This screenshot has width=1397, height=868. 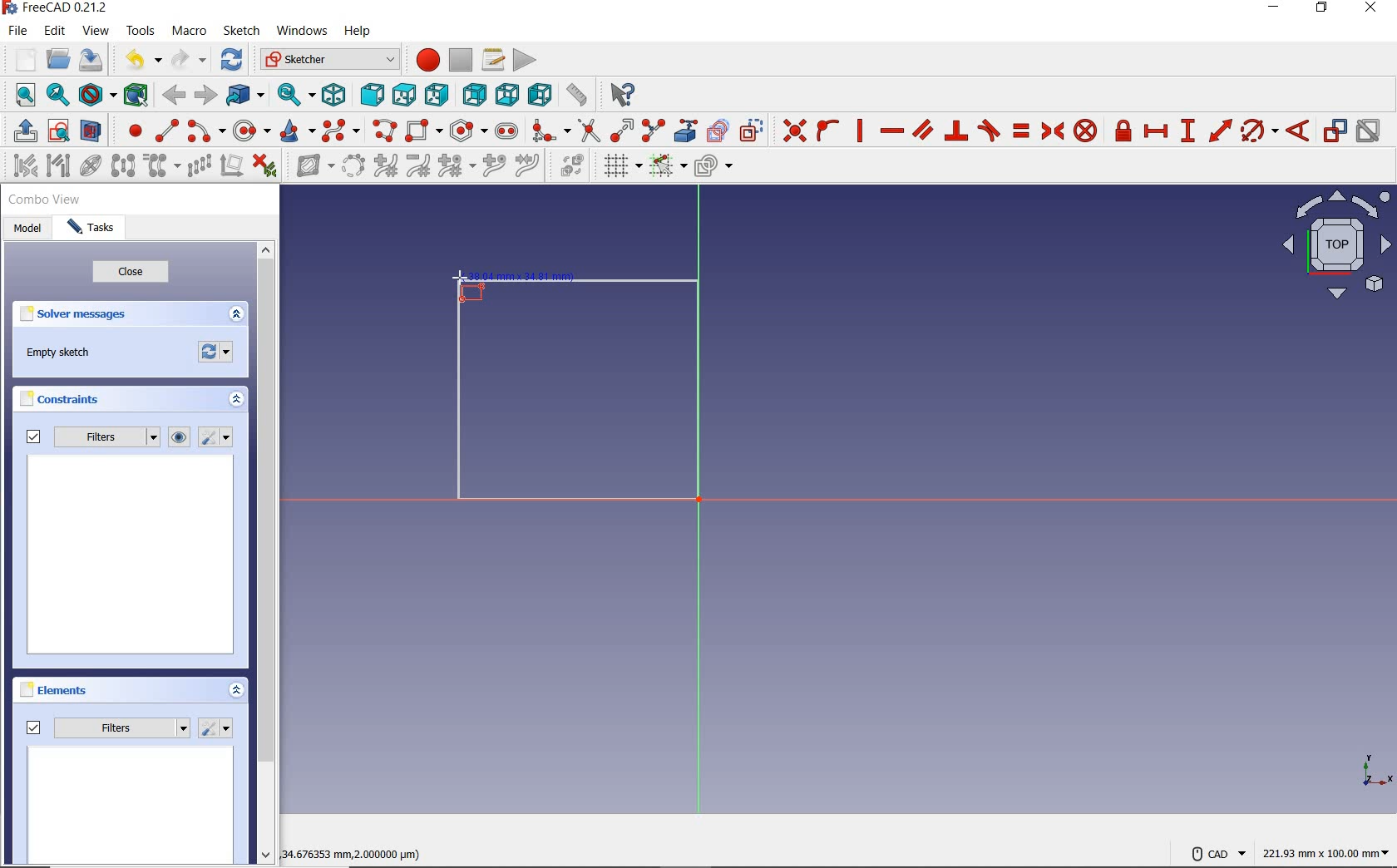 What do you see at coordinates (1328, 852) in the screenshot?
I see `dimension` at bounding box center [1328, 852].